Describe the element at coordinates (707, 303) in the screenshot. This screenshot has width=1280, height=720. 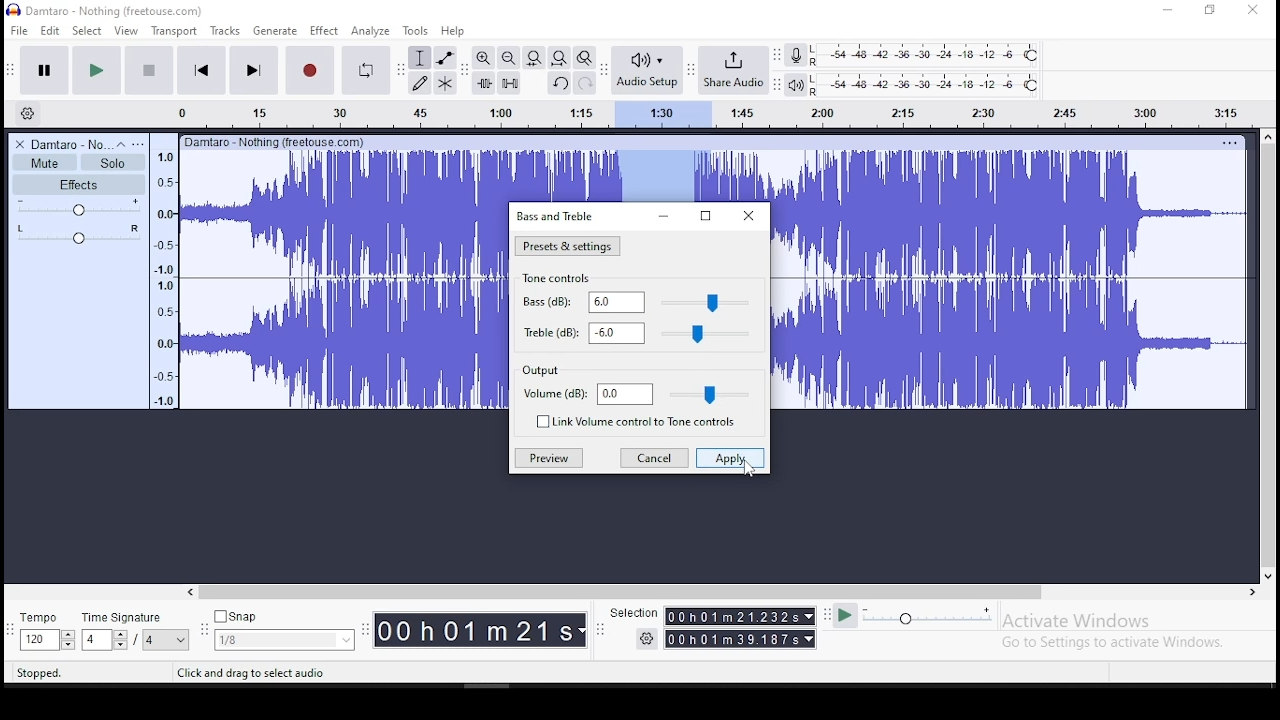
I see `control` at that location.